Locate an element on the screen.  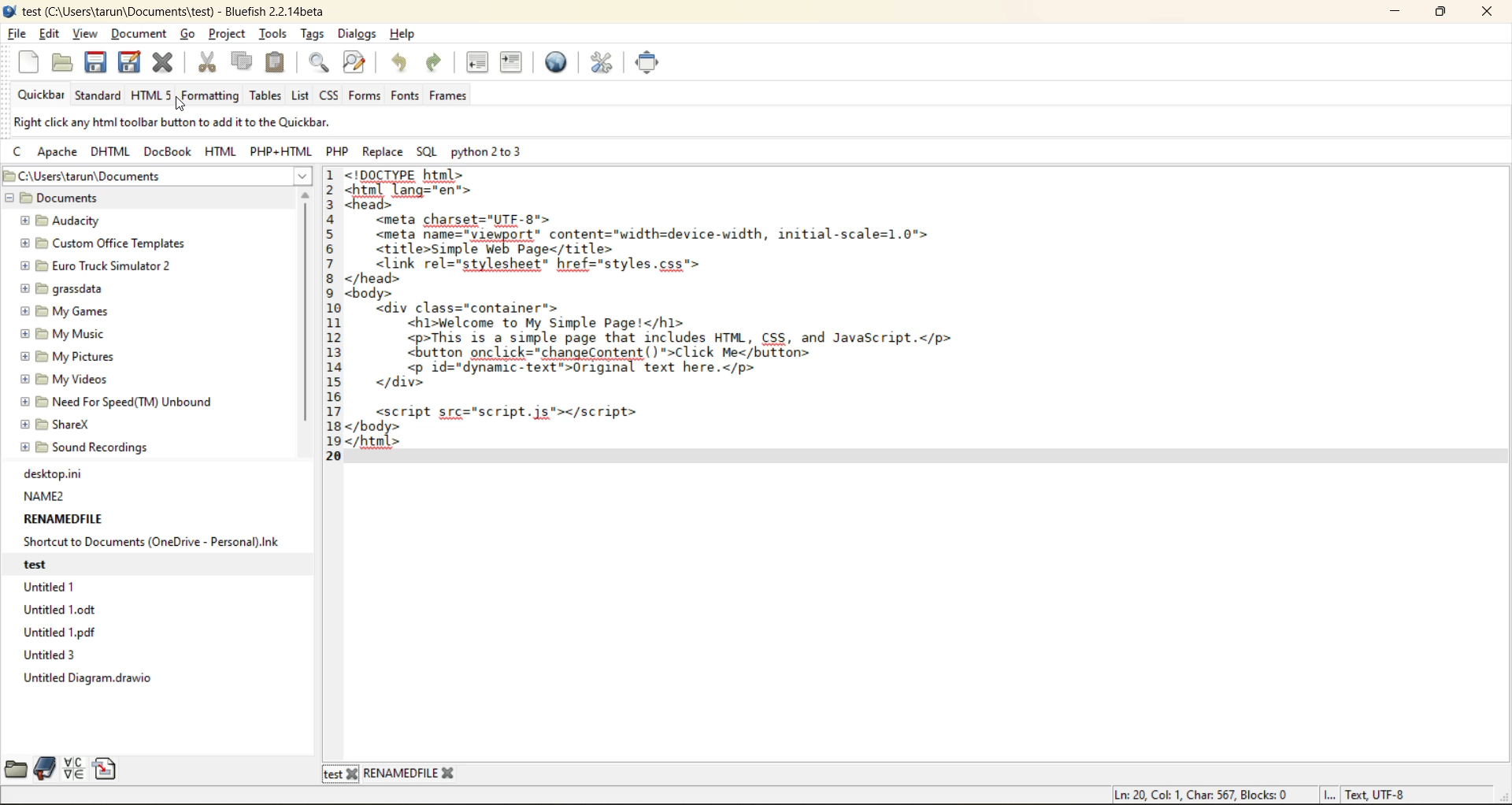
Untitled 1 is located at coordinates (54, 588).